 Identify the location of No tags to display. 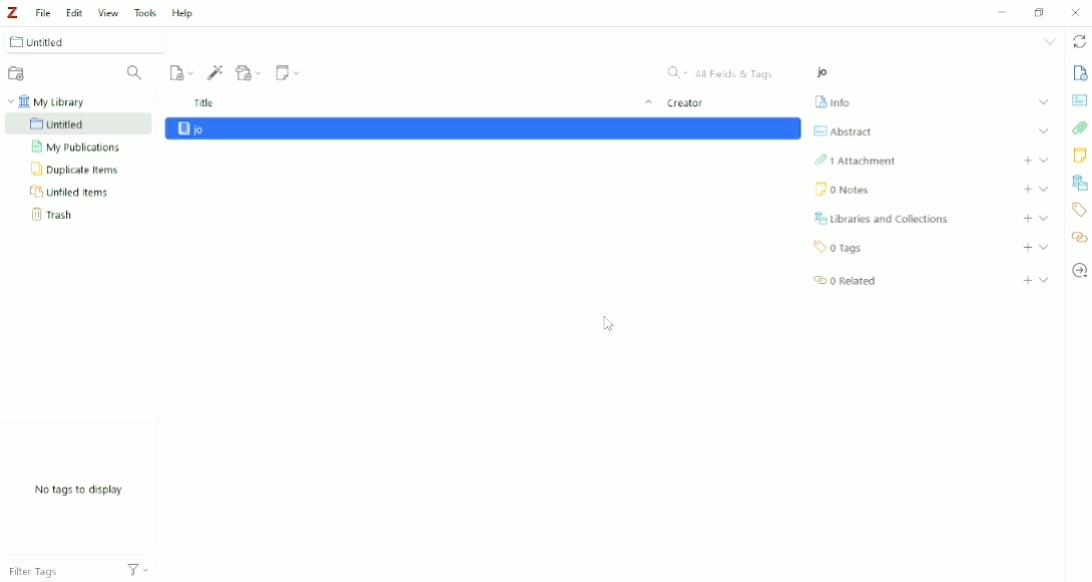
(78, 490).